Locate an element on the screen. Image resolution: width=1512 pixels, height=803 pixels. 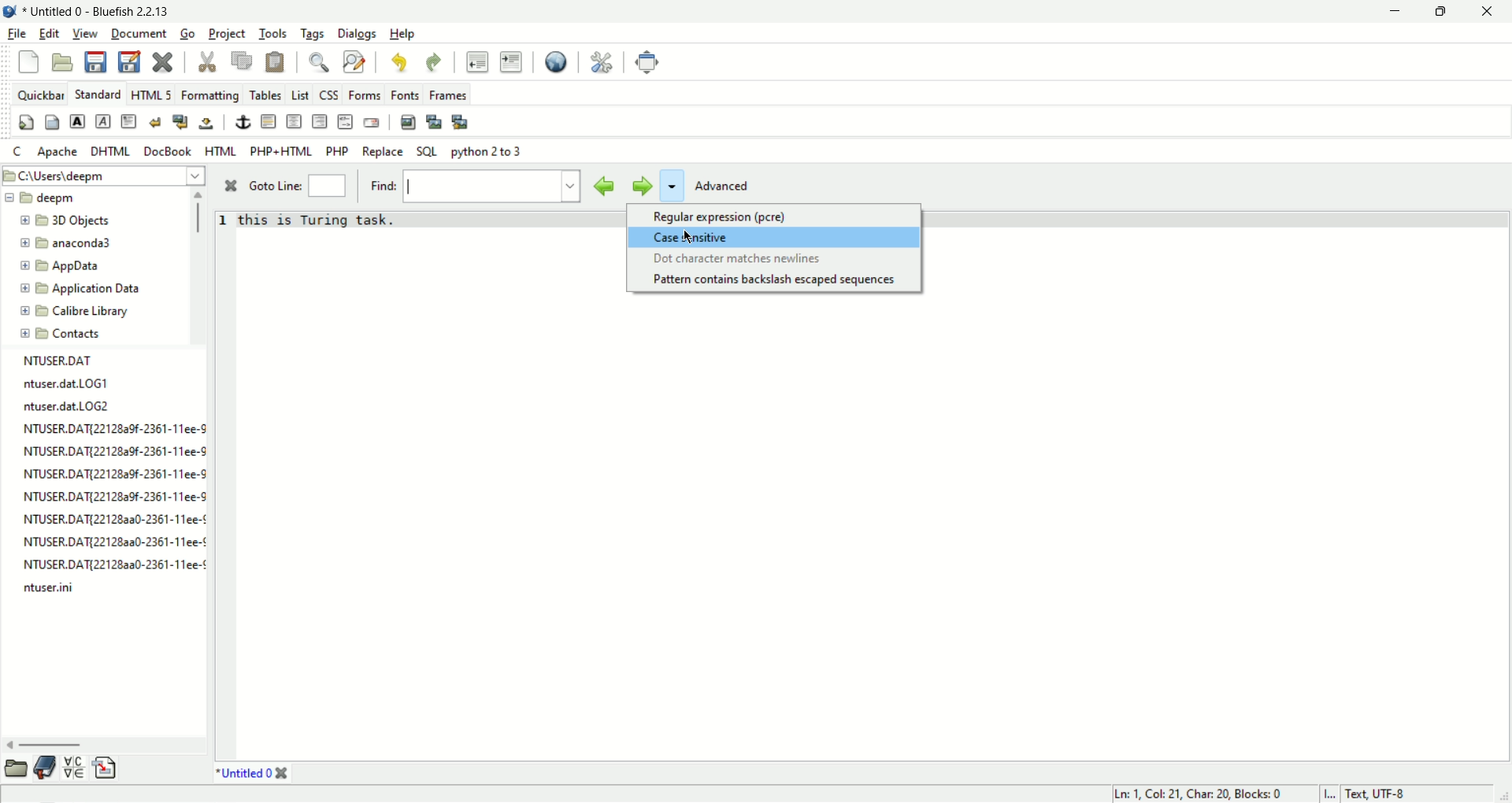
text field is located at coordinates (484, 187).